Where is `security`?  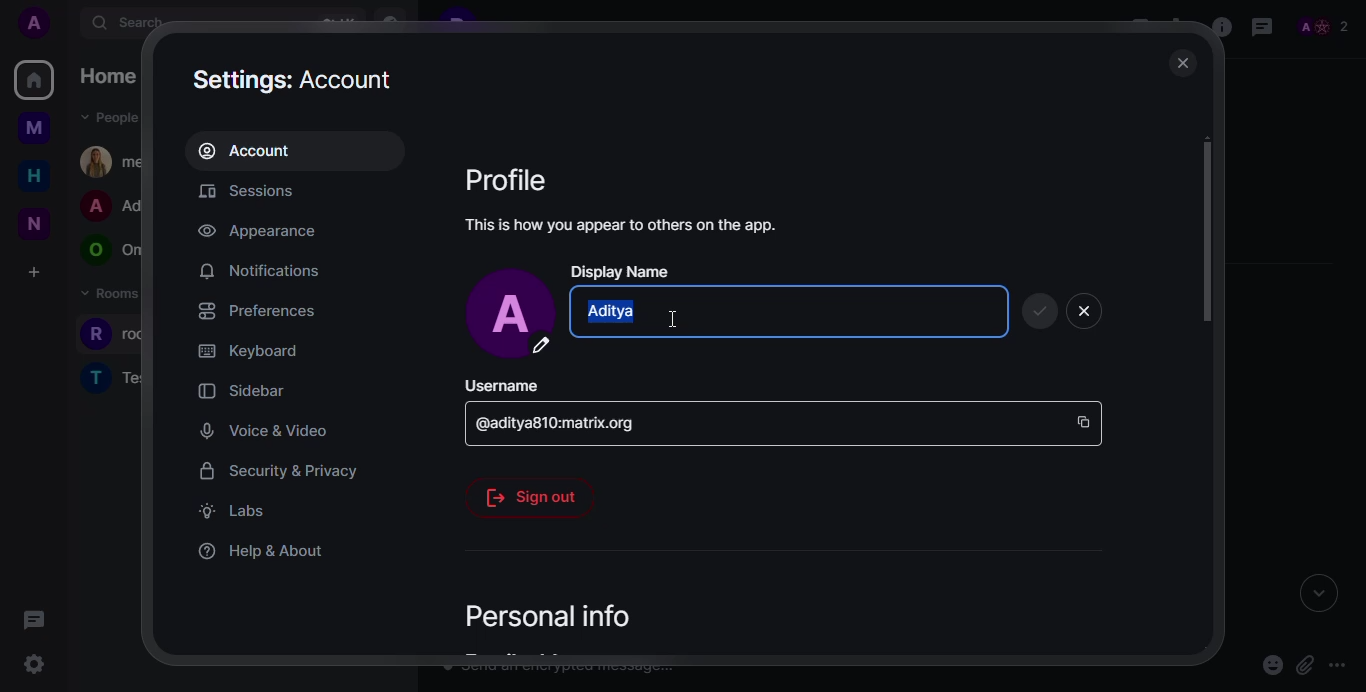
security is located at coordinates (282, 469).